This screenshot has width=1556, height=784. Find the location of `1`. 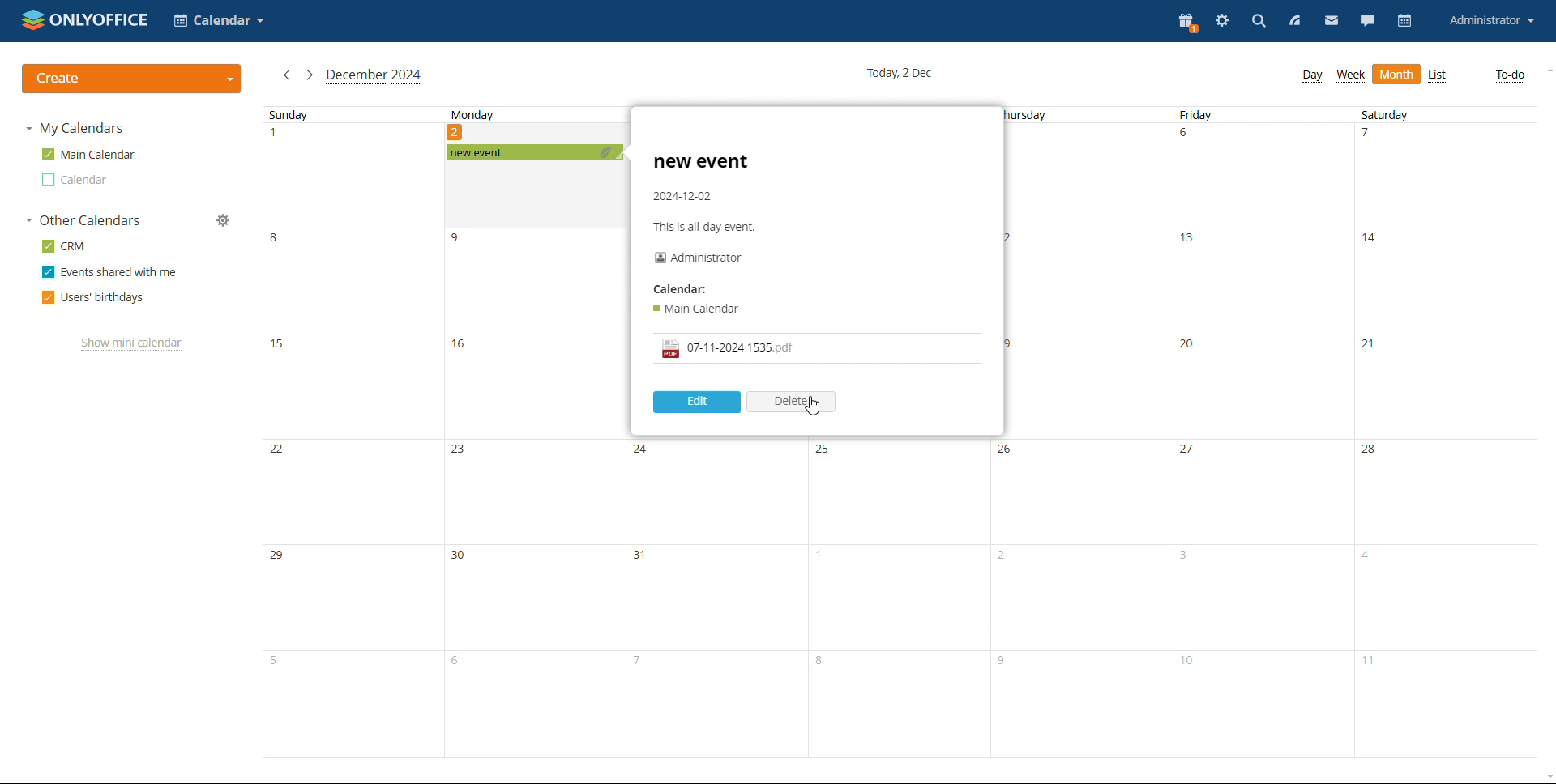

1 is located at coordinates (278, 138).